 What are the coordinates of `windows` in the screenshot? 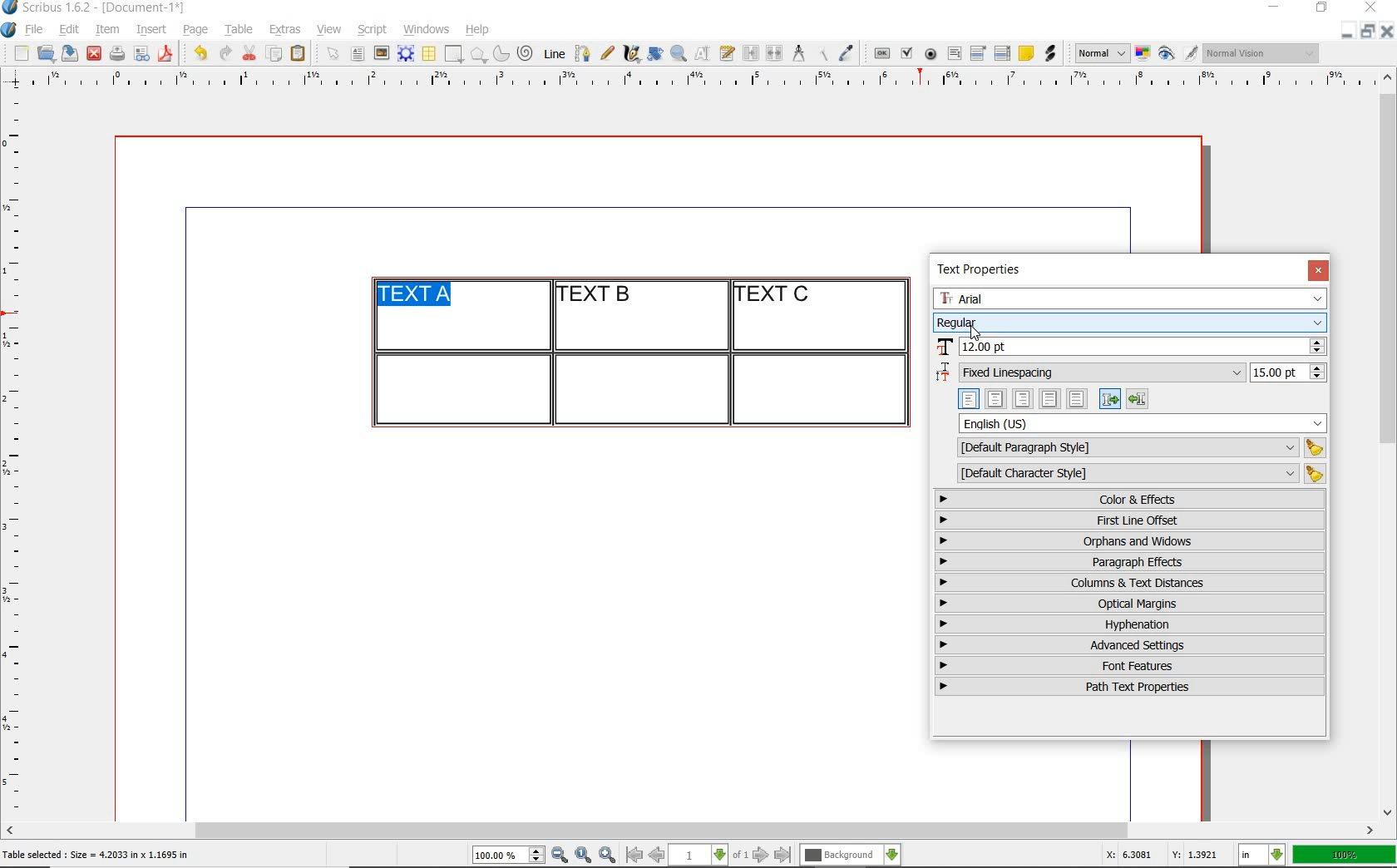 It's located at (427, 30).